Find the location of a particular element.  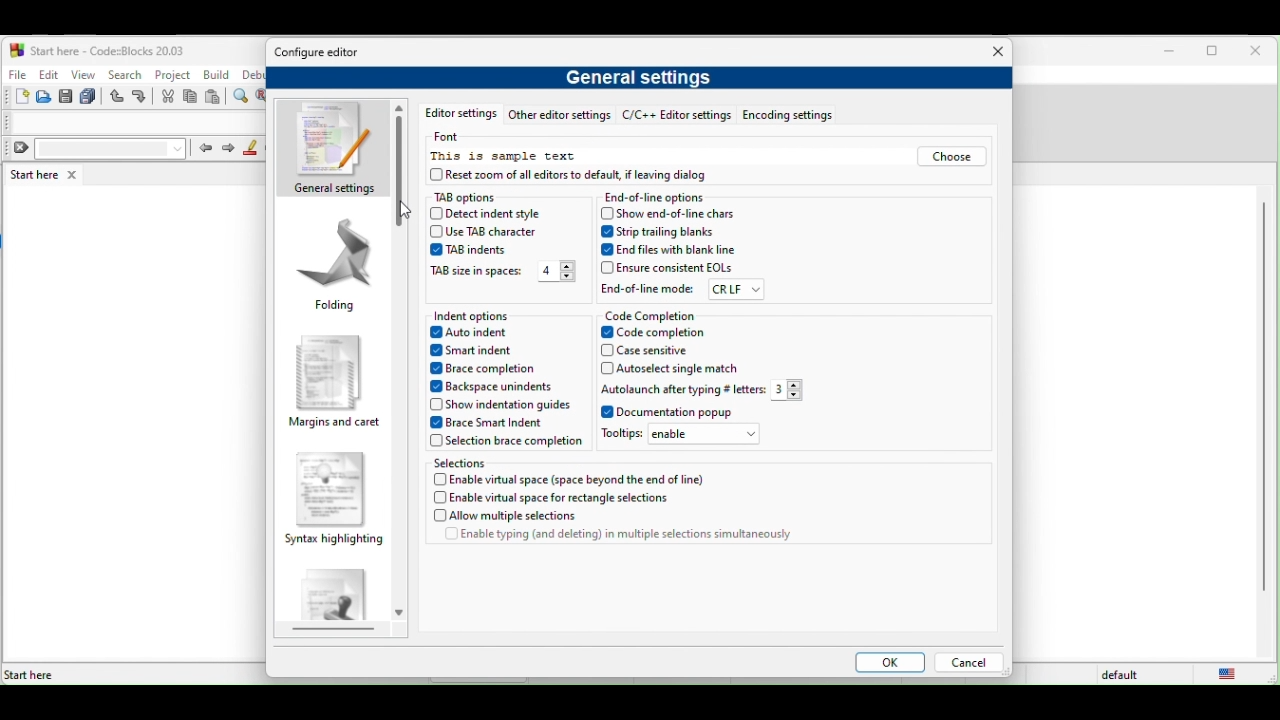

brace completion is located at coordinates (490, 370).